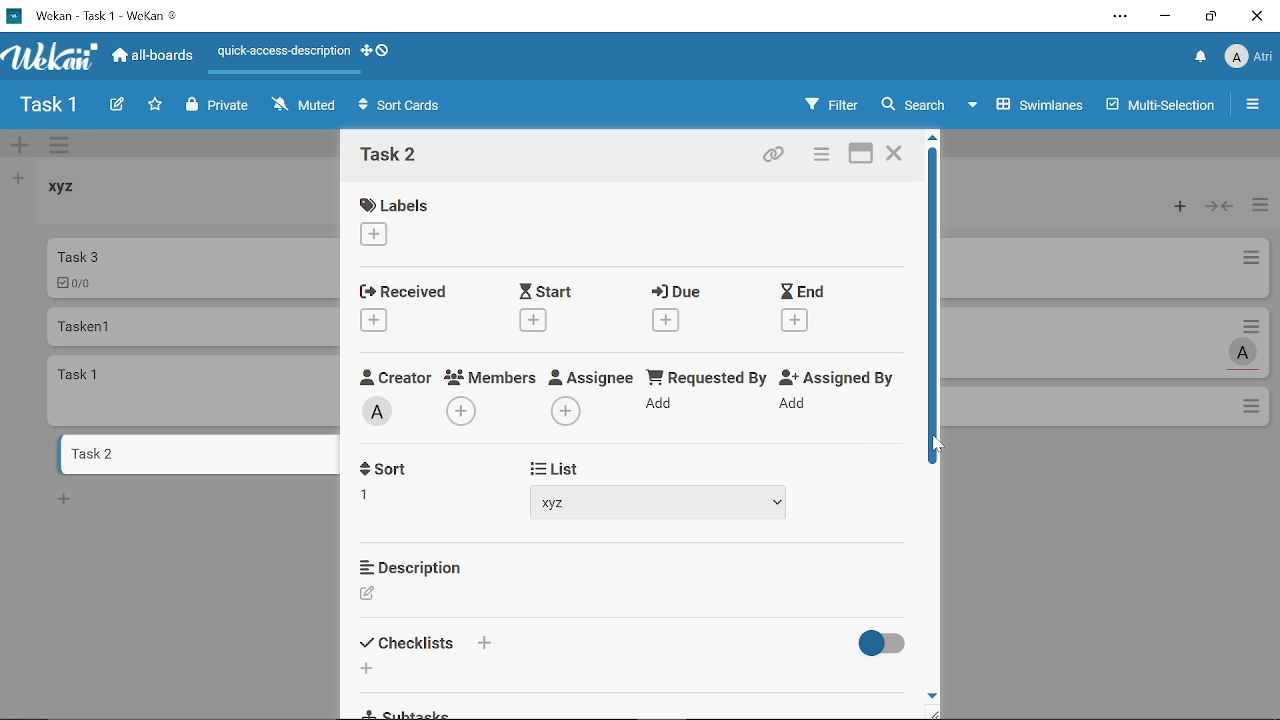  What do you see at coordinates (566, 413) in the screenshot?
I see `Add assignee` at bounding box center [566, 413].